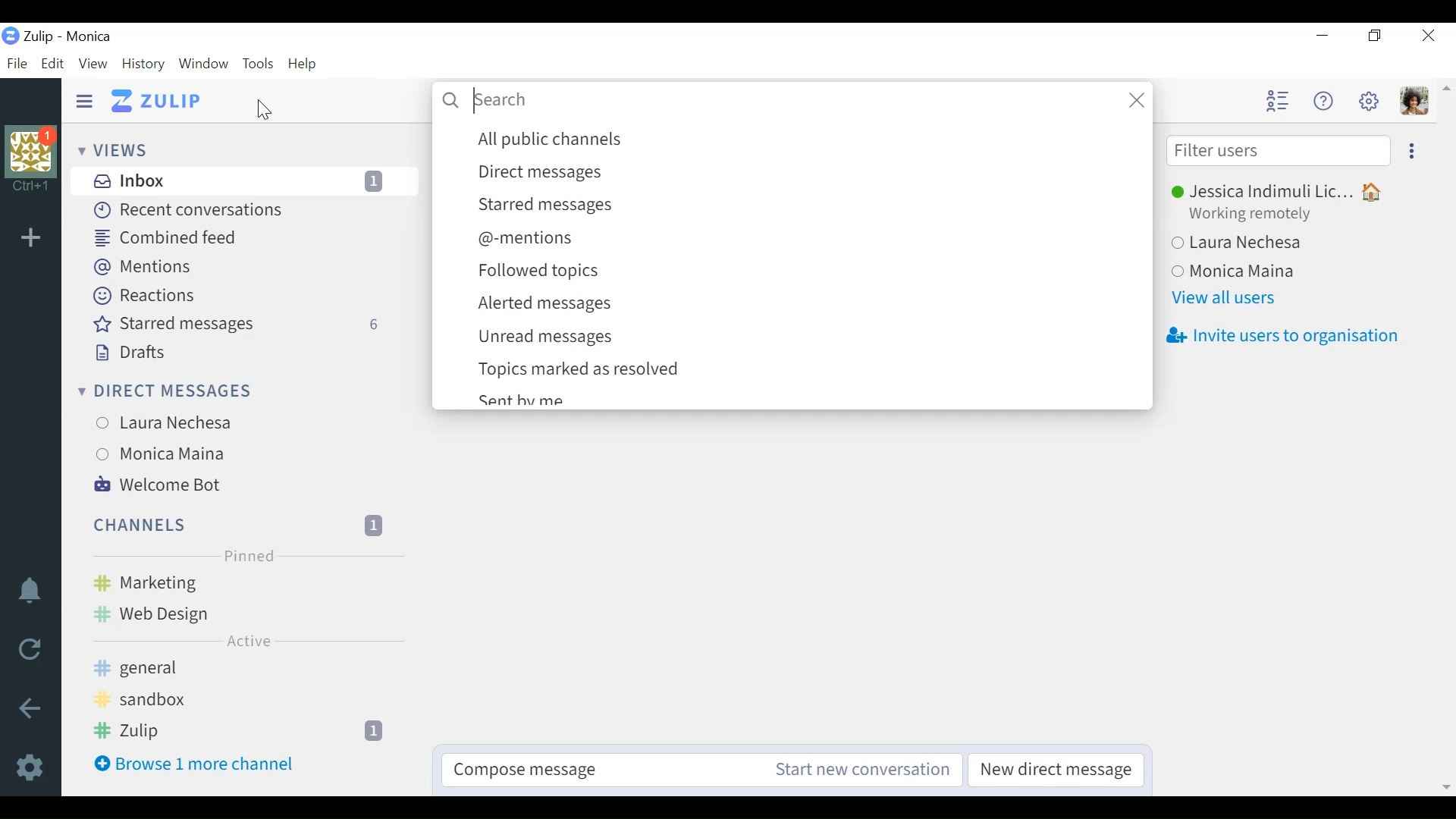  I want to click on Welcome Bot, so click(156, 485).